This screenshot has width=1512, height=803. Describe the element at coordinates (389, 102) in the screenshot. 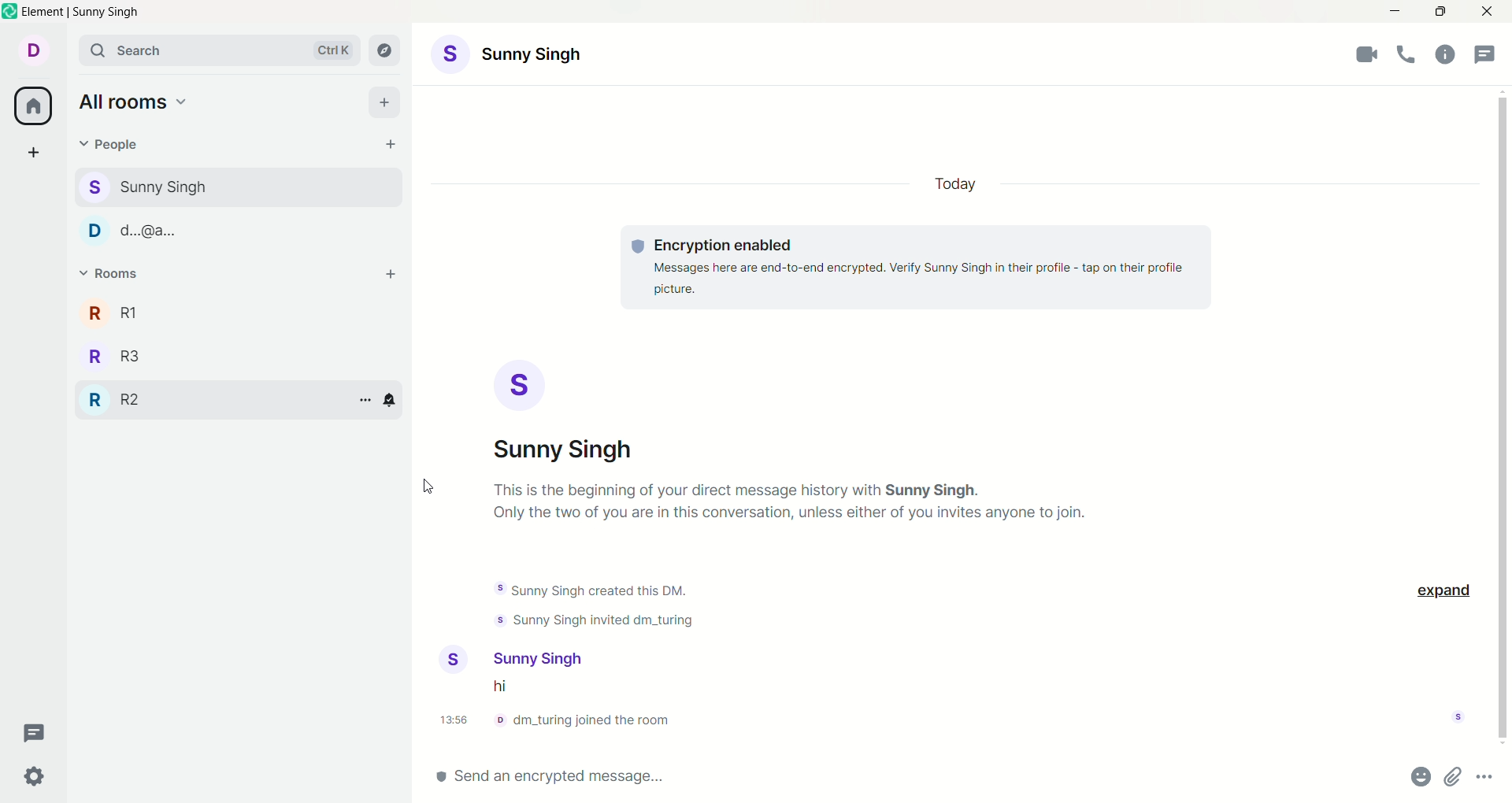

I see `add` at that location.